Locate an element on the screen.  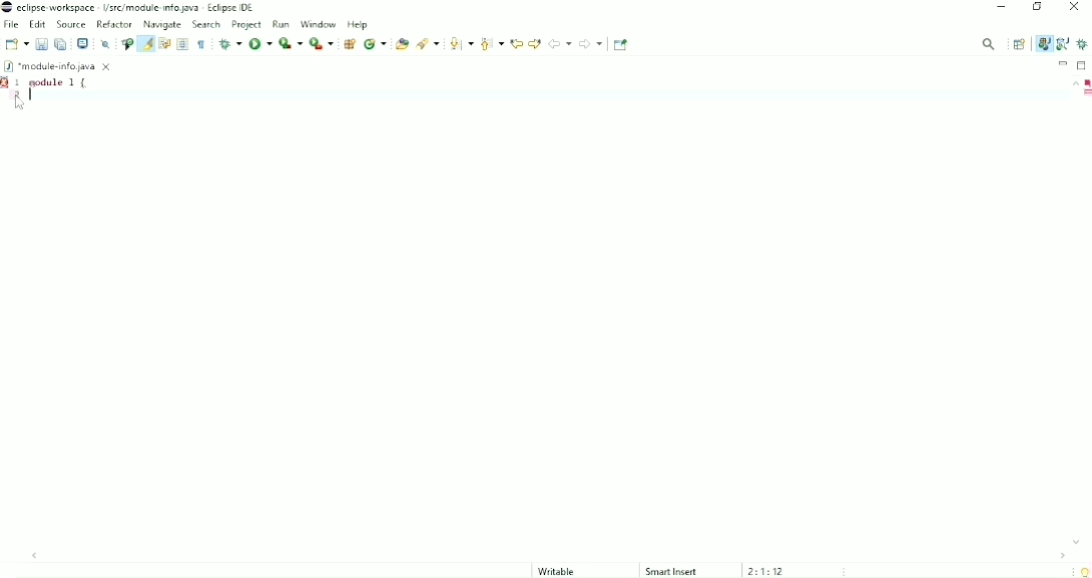
Save All is located at coordinates (61, 44).